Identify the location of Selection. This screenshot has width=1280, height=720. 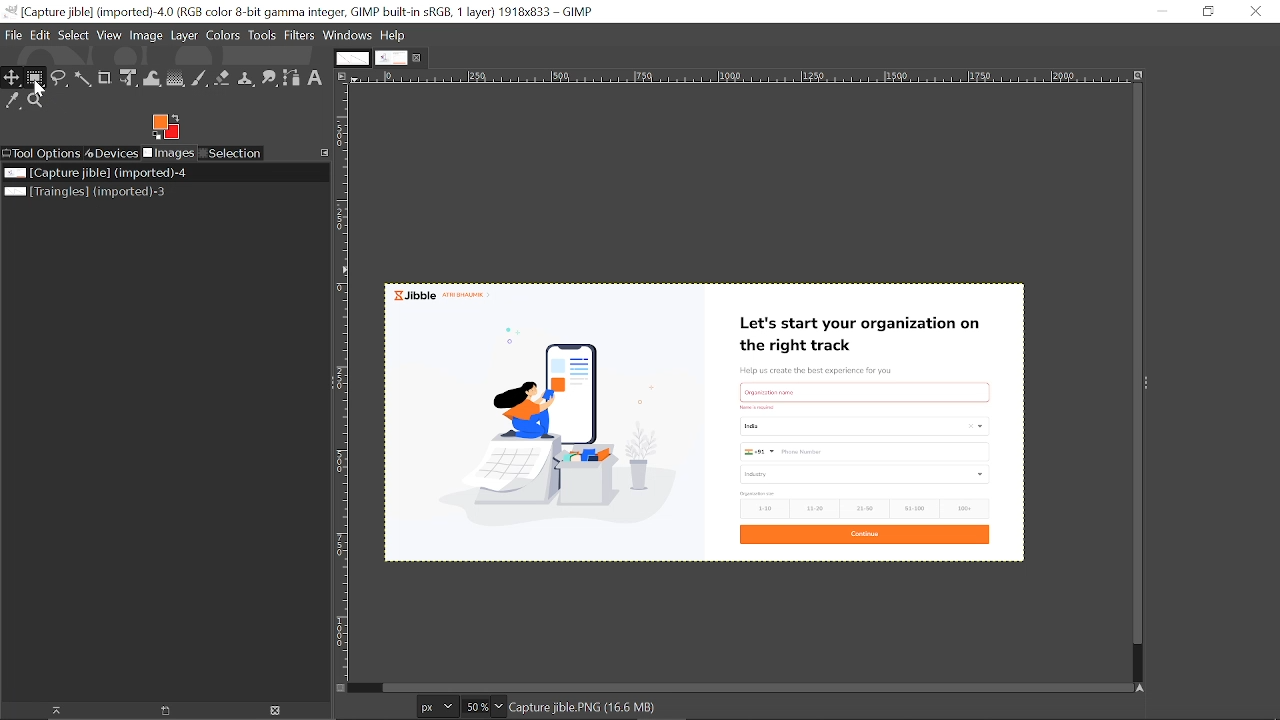
(233, 154).